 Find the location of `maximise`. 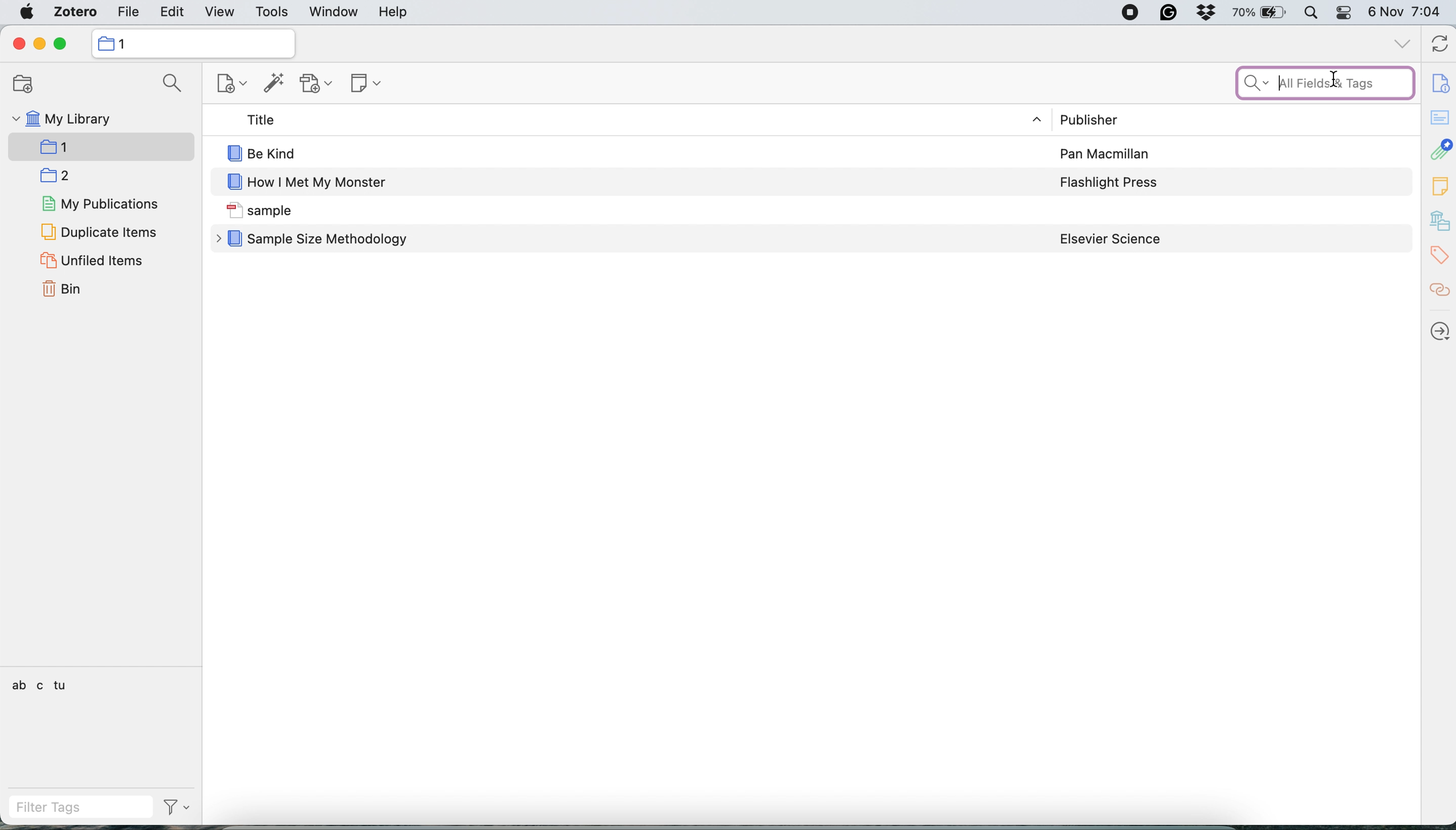

maximise is located at coordinates (63, 44).